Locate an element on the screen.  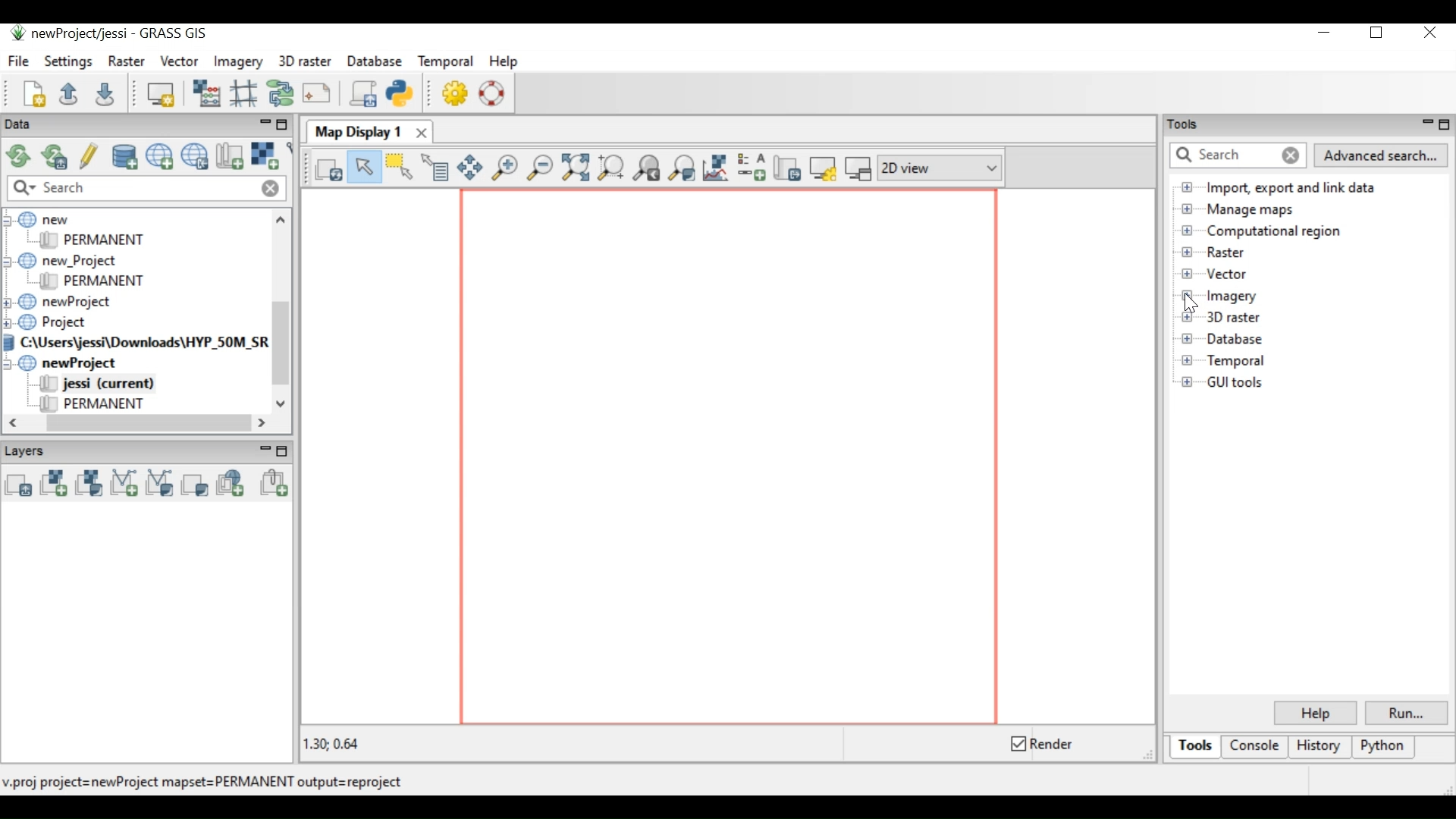
Add raster map layer is located at coordinates (54, 485).